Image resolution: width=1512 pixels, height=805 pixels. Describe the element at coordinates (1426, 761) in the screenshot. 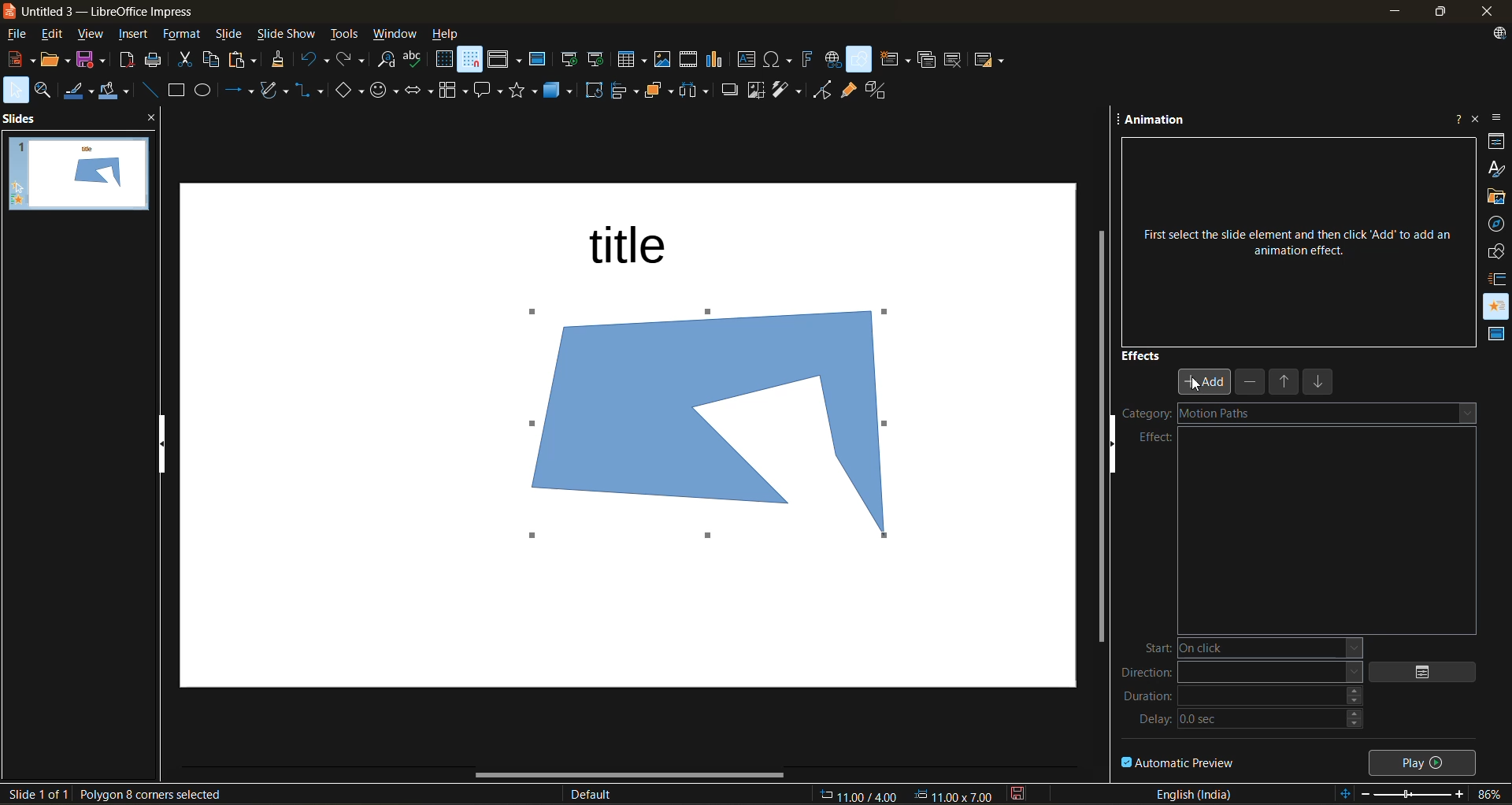

I see `play` at that location.